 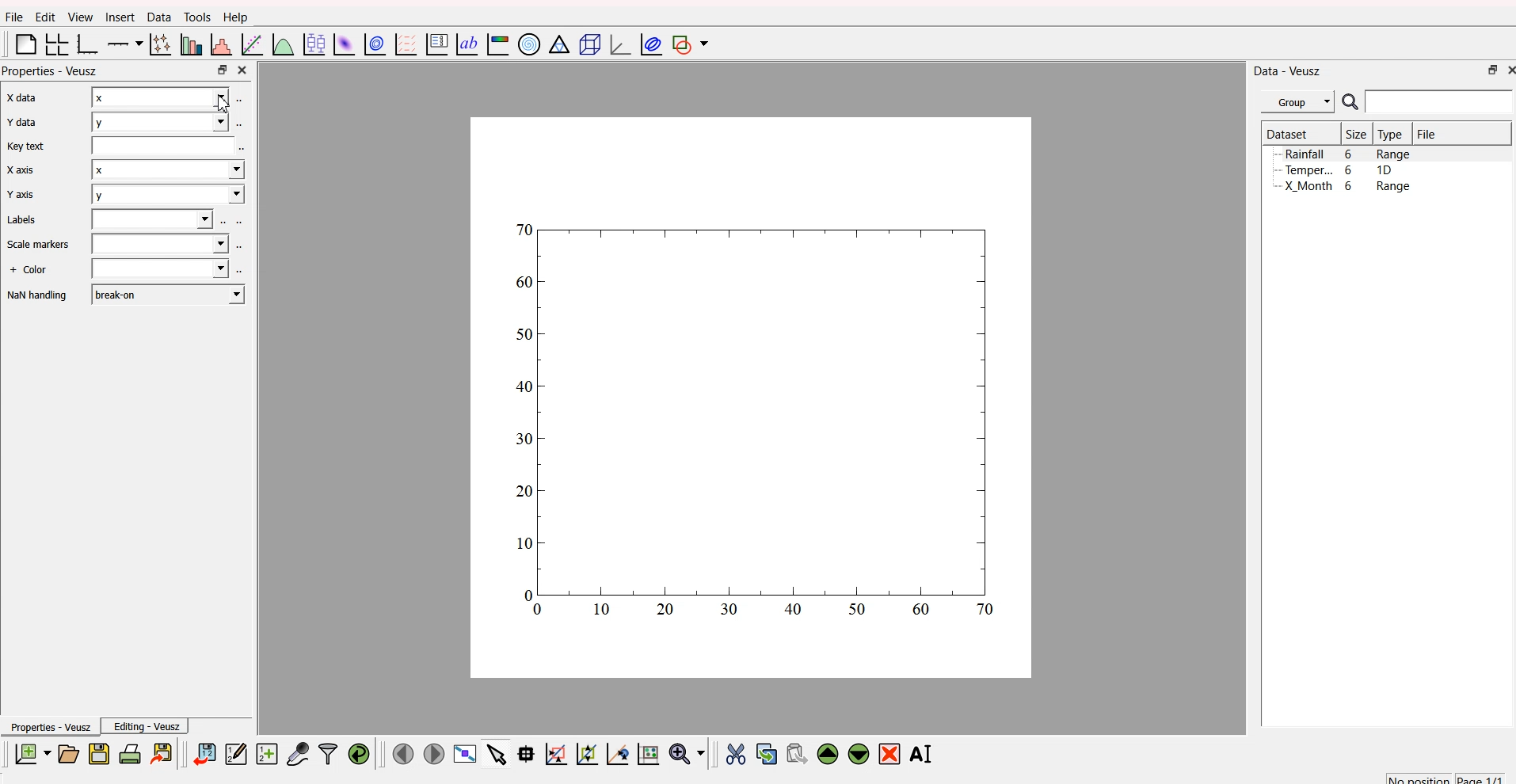 I want to click on save a document, so click(x=97, y=753).